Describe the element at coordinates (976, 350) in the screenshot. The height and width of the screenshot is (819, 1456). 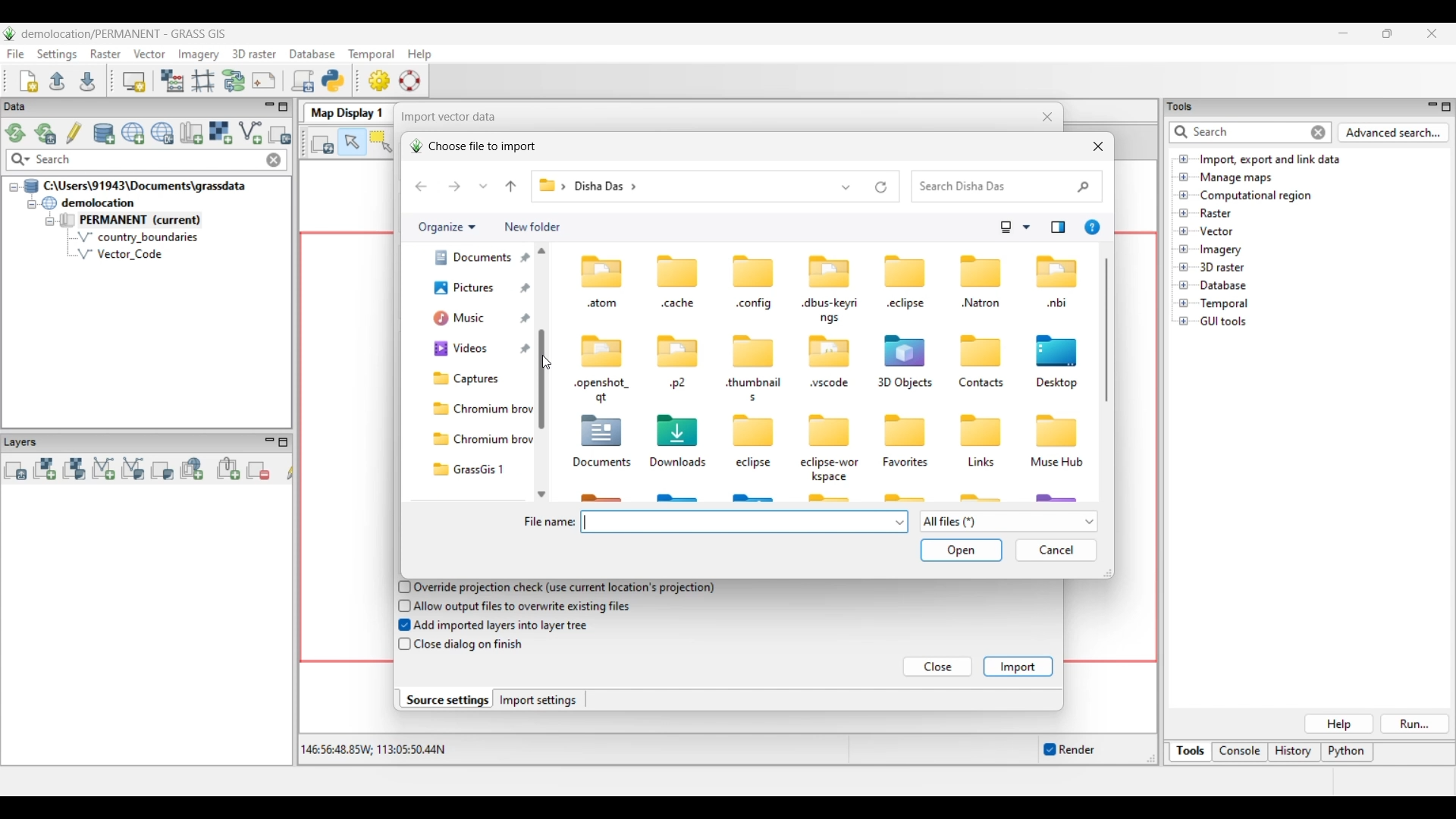
I see `icon` at that location.